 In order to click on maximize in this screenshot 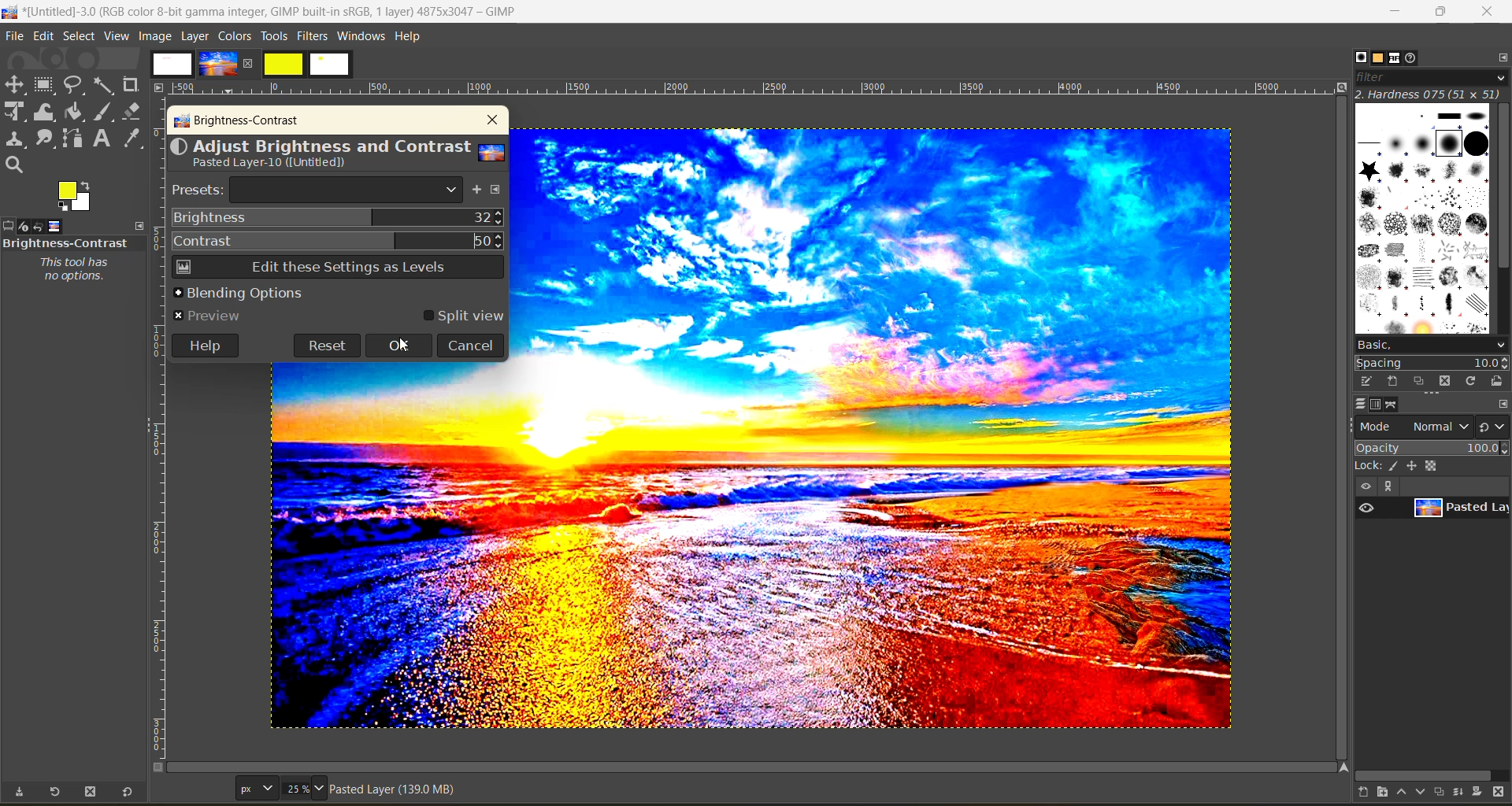, I will do `click(1440, 12)`.